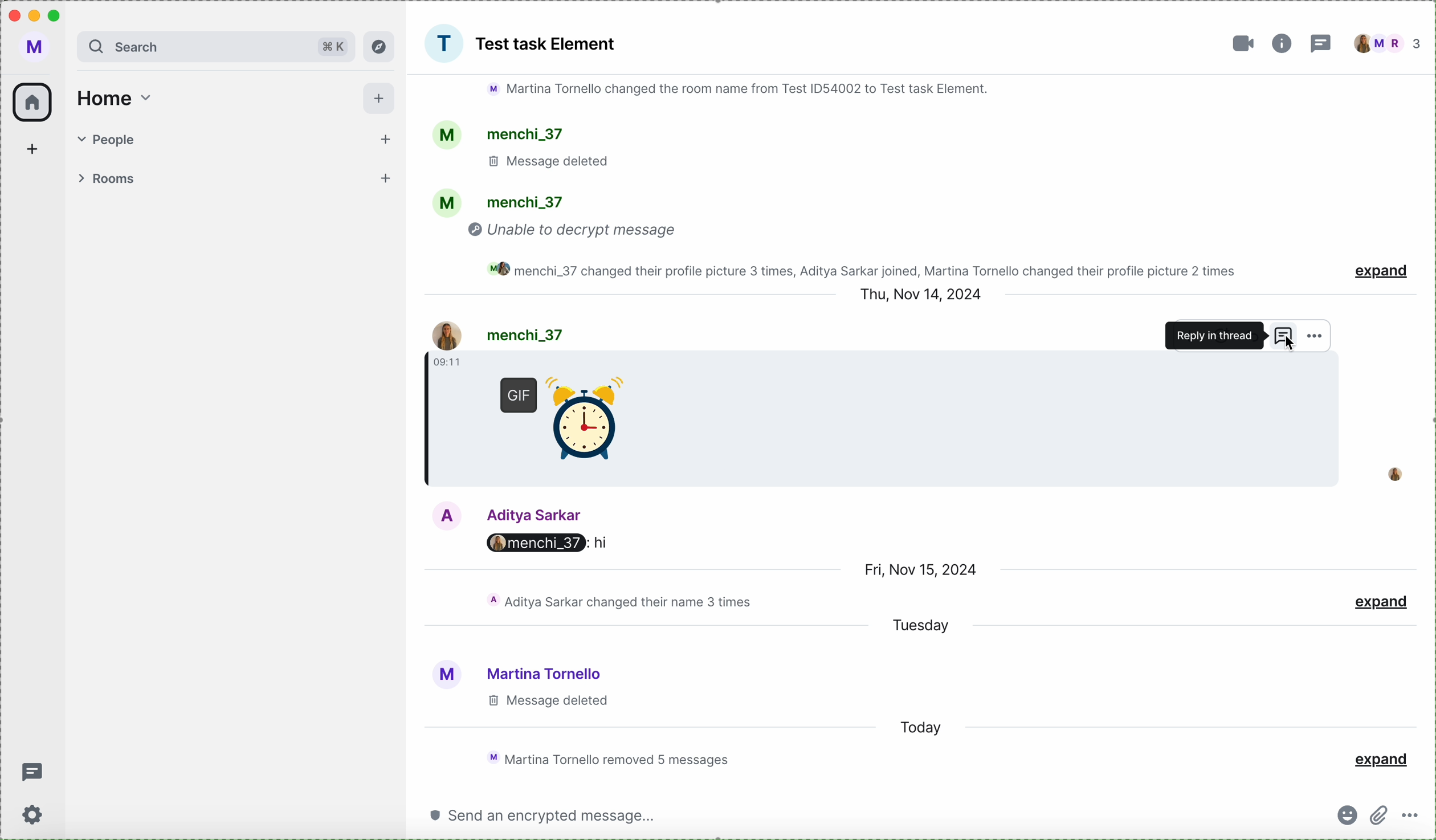  Describe the element at coordinates (216, 46) in the screenshot. I see `search bar` at that location.